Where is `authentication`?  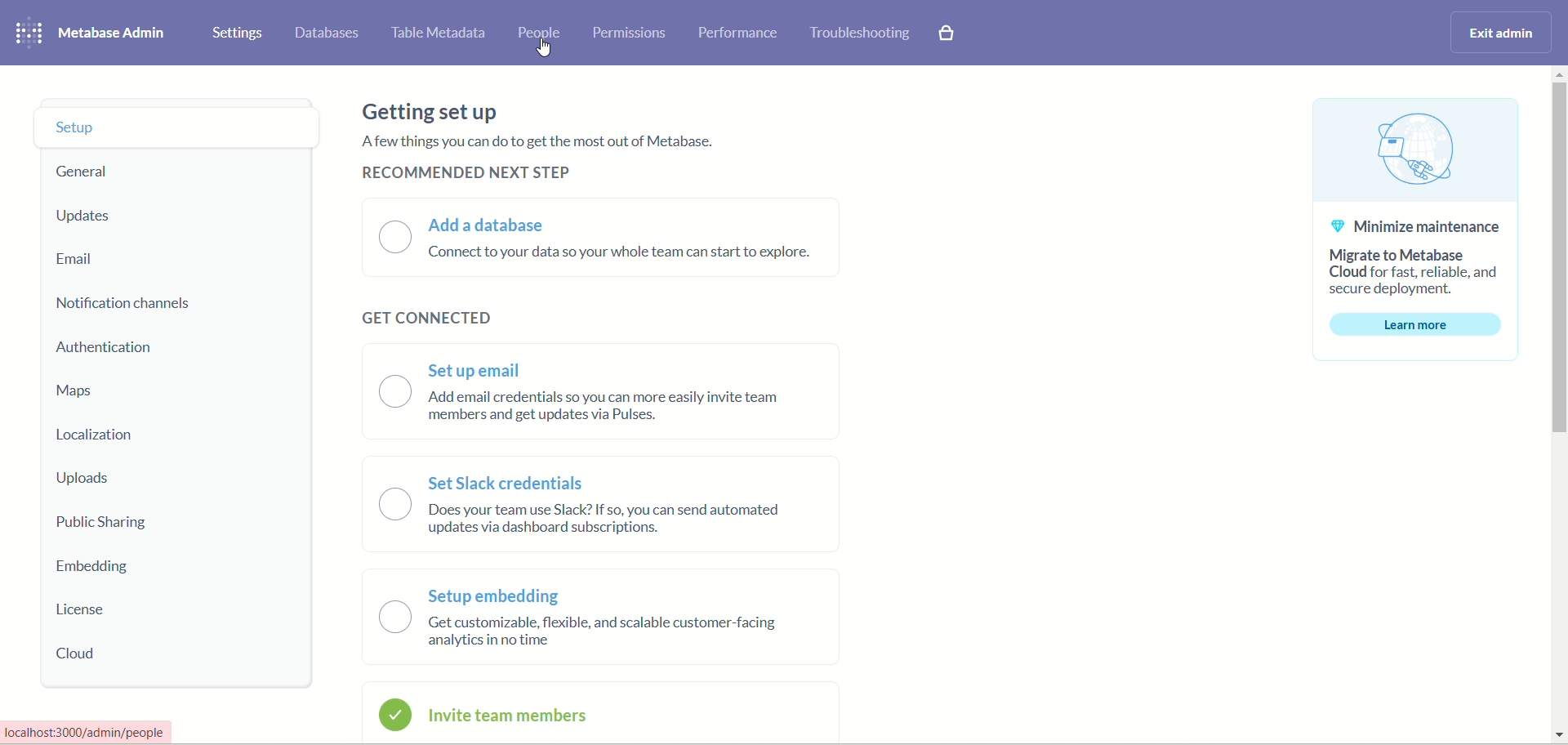
authentication is located at coordinates (106, 346).